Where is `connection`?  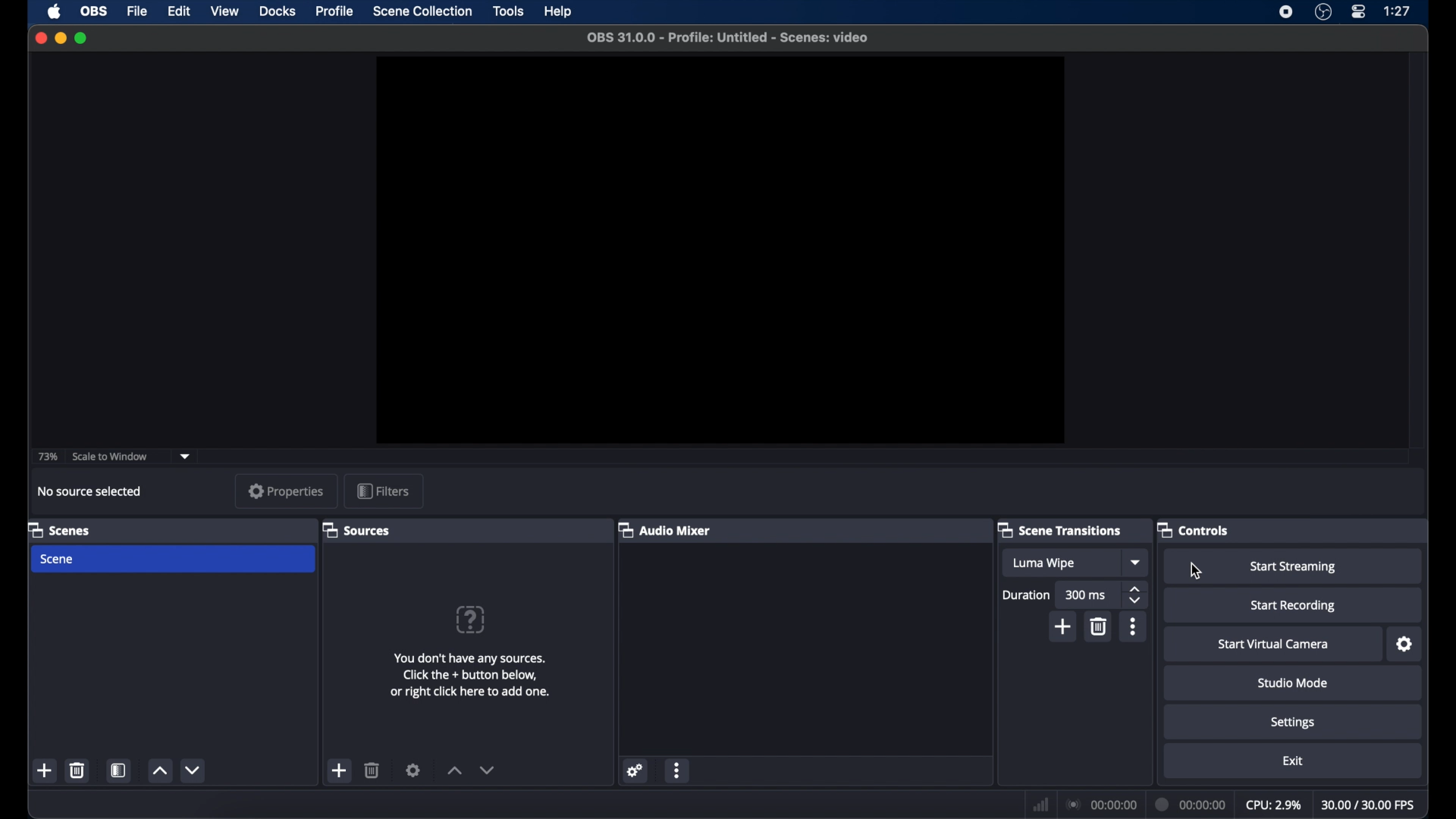 connection is located at coordinates (1103, 805).